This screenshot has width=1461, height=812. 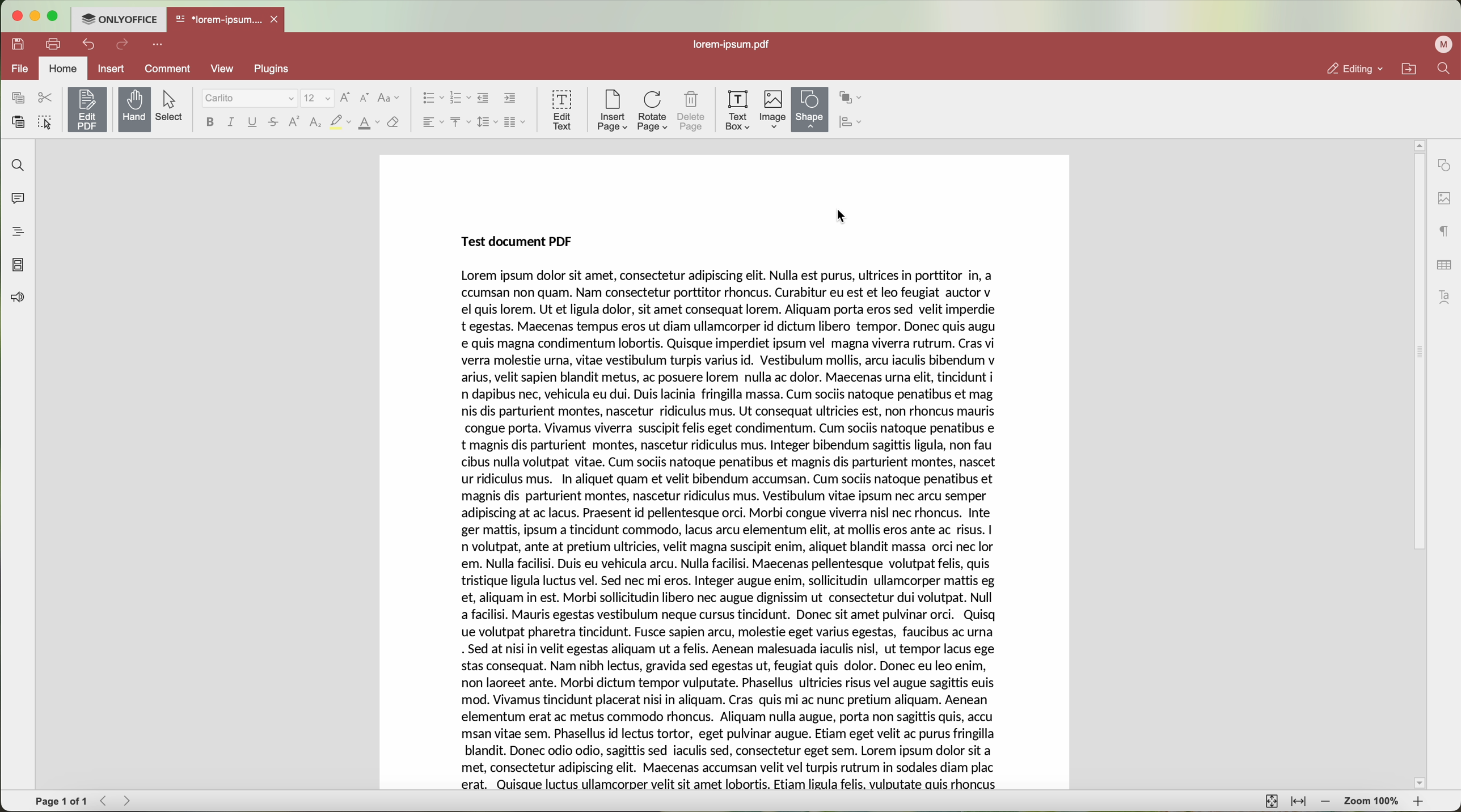 What do you see at coordinates (90, 107) in the screenshot?
I see `edit PDF` at bounding box center [90, 107].